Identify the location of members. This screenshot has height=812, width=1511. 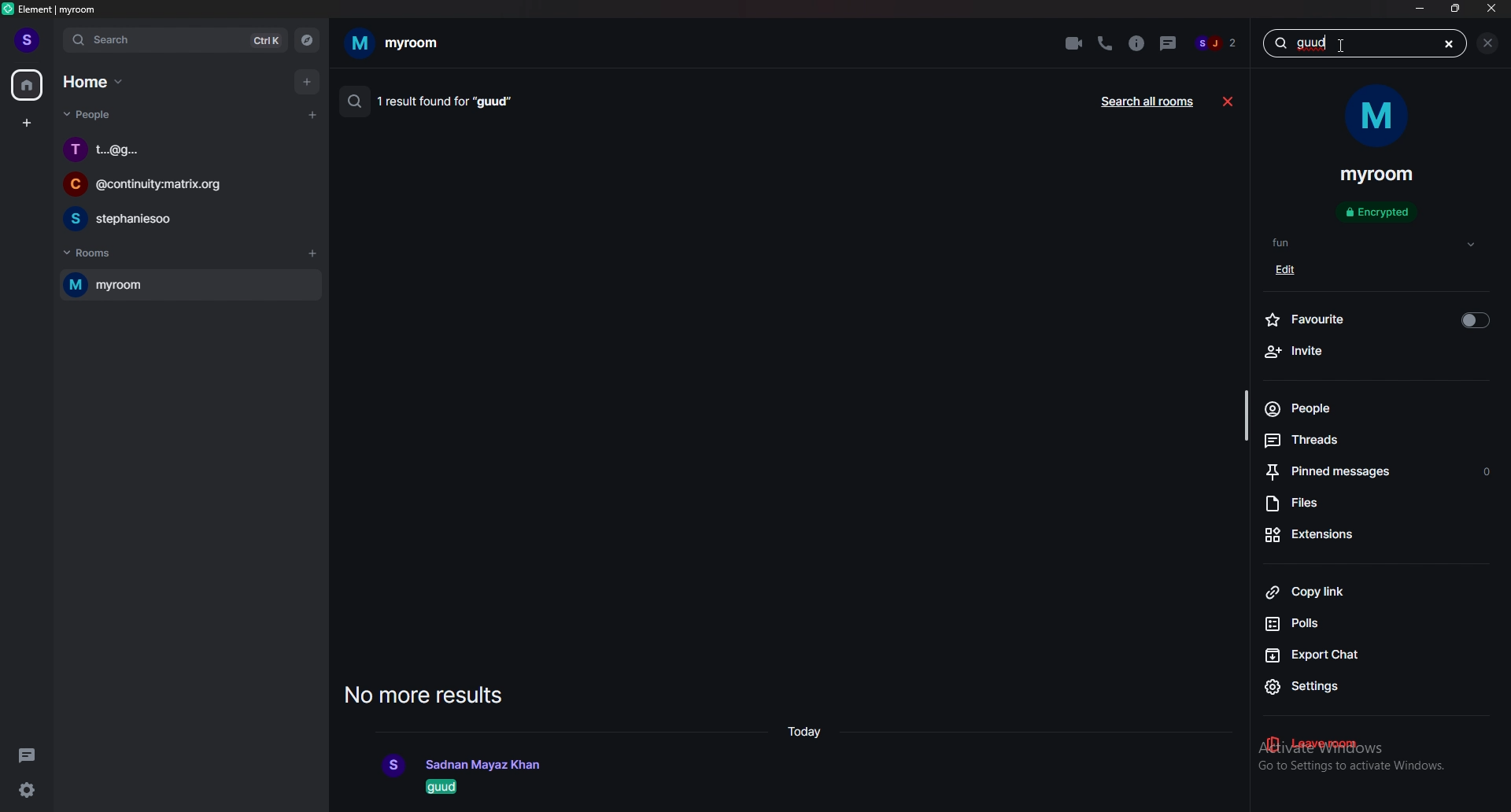
(1217, 43).